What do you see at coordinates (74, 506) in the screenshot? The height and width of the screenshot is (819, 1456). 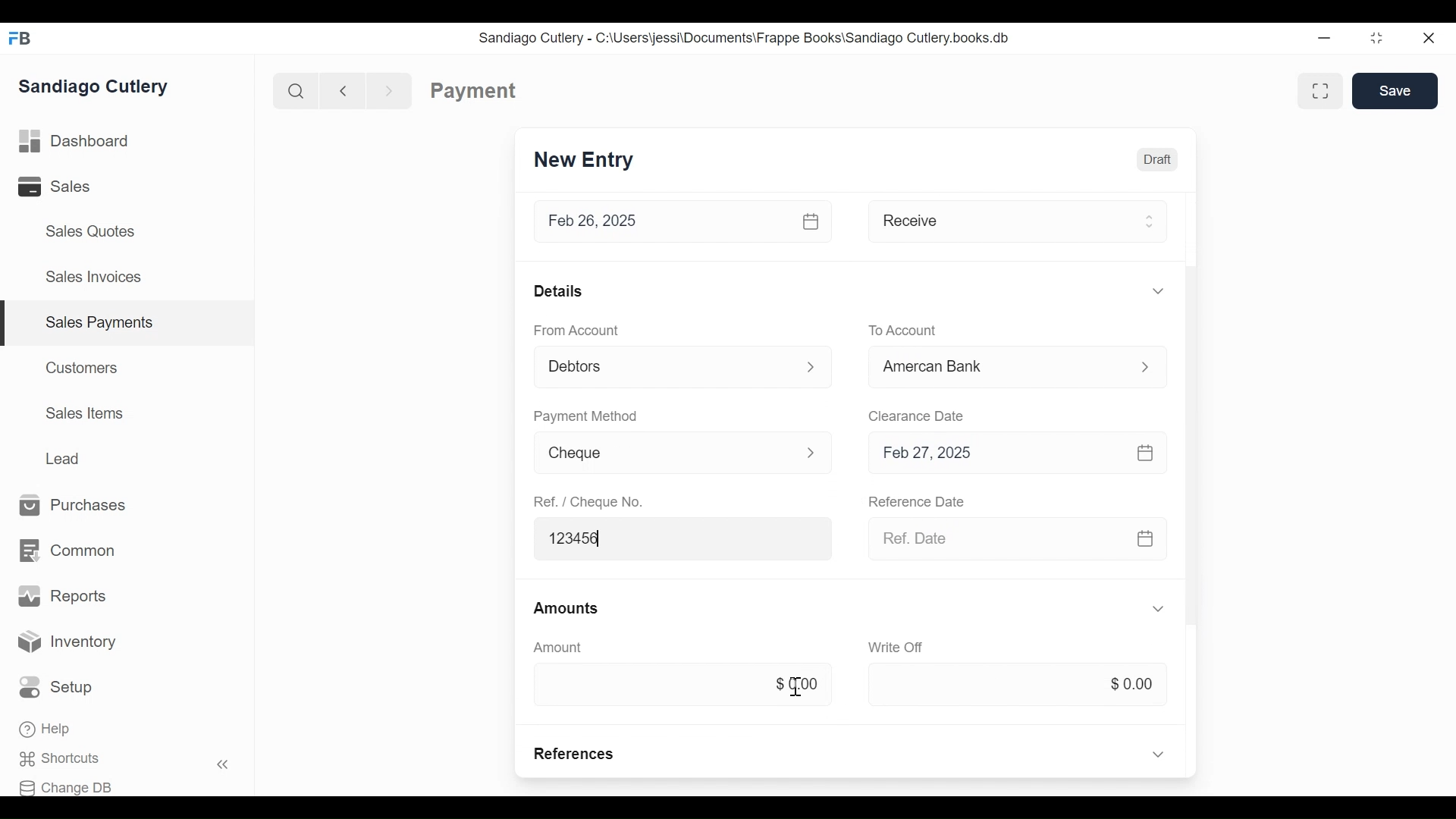 I see `Purchases` at bounding box center [74, 506].